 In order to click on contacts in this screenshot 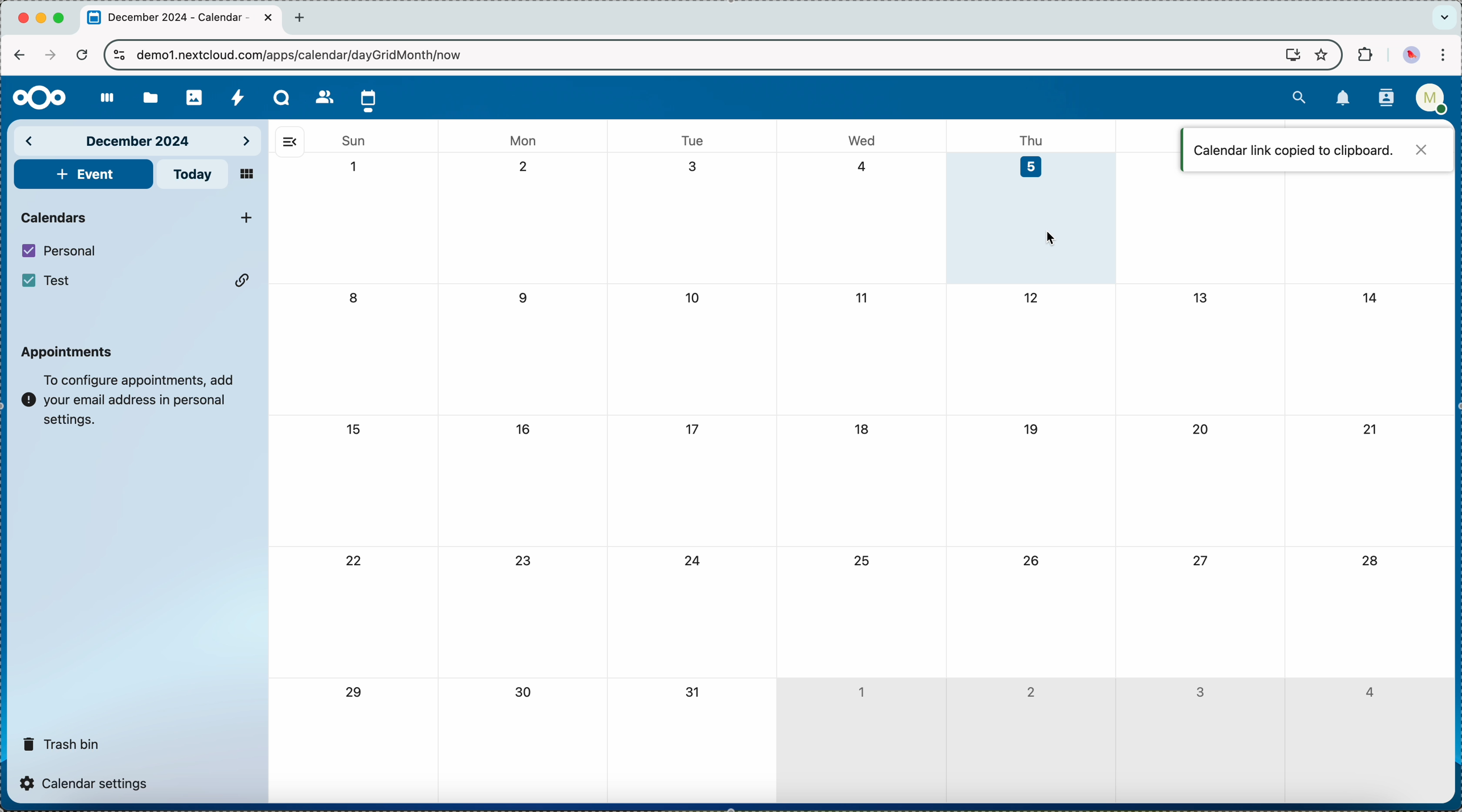, I will do `click(321, 96)`.